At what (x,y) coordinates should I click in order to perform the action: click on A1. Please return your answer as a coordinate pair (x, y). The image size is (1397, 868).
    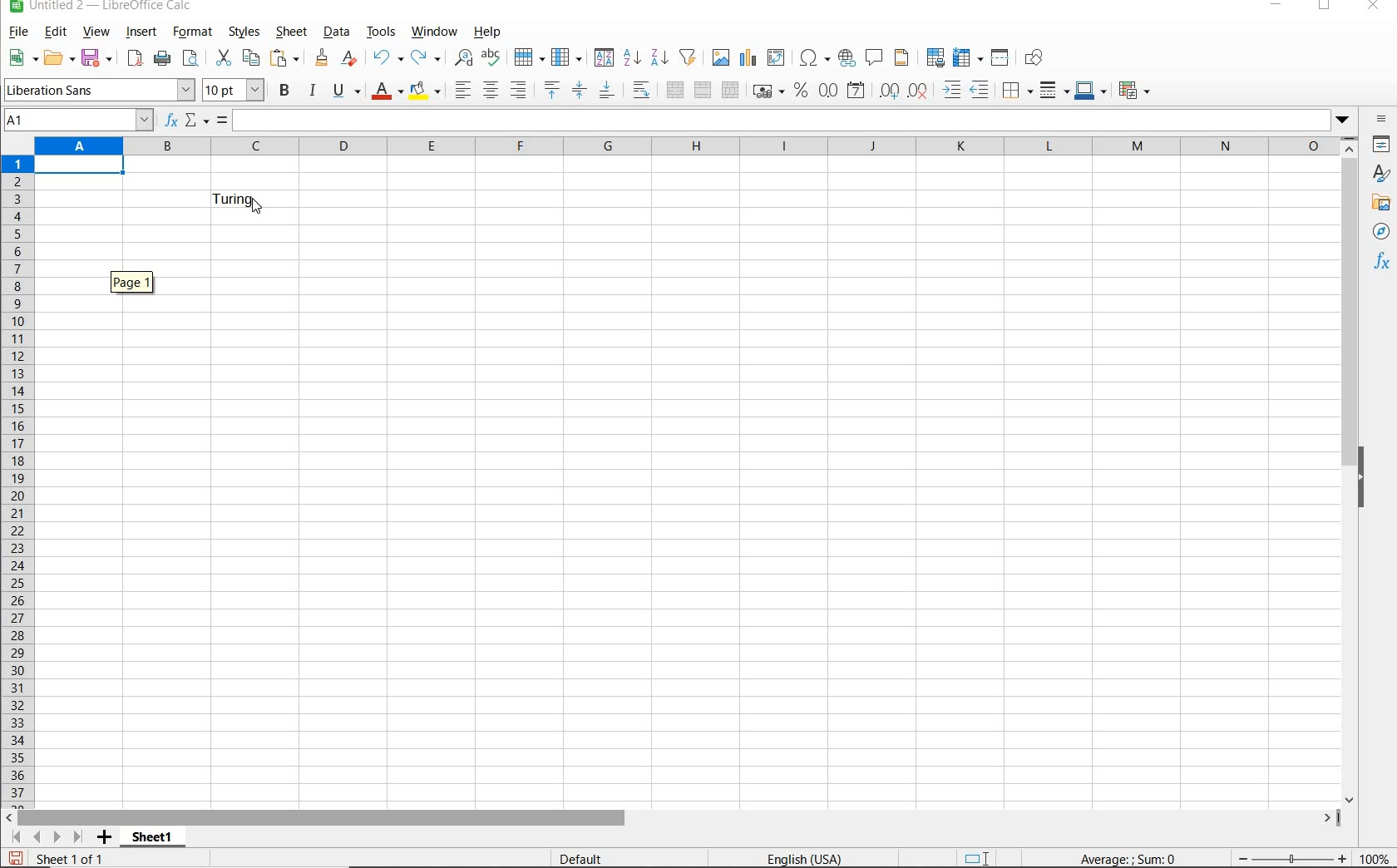
    Looking at the image, I should click on (77, 119).